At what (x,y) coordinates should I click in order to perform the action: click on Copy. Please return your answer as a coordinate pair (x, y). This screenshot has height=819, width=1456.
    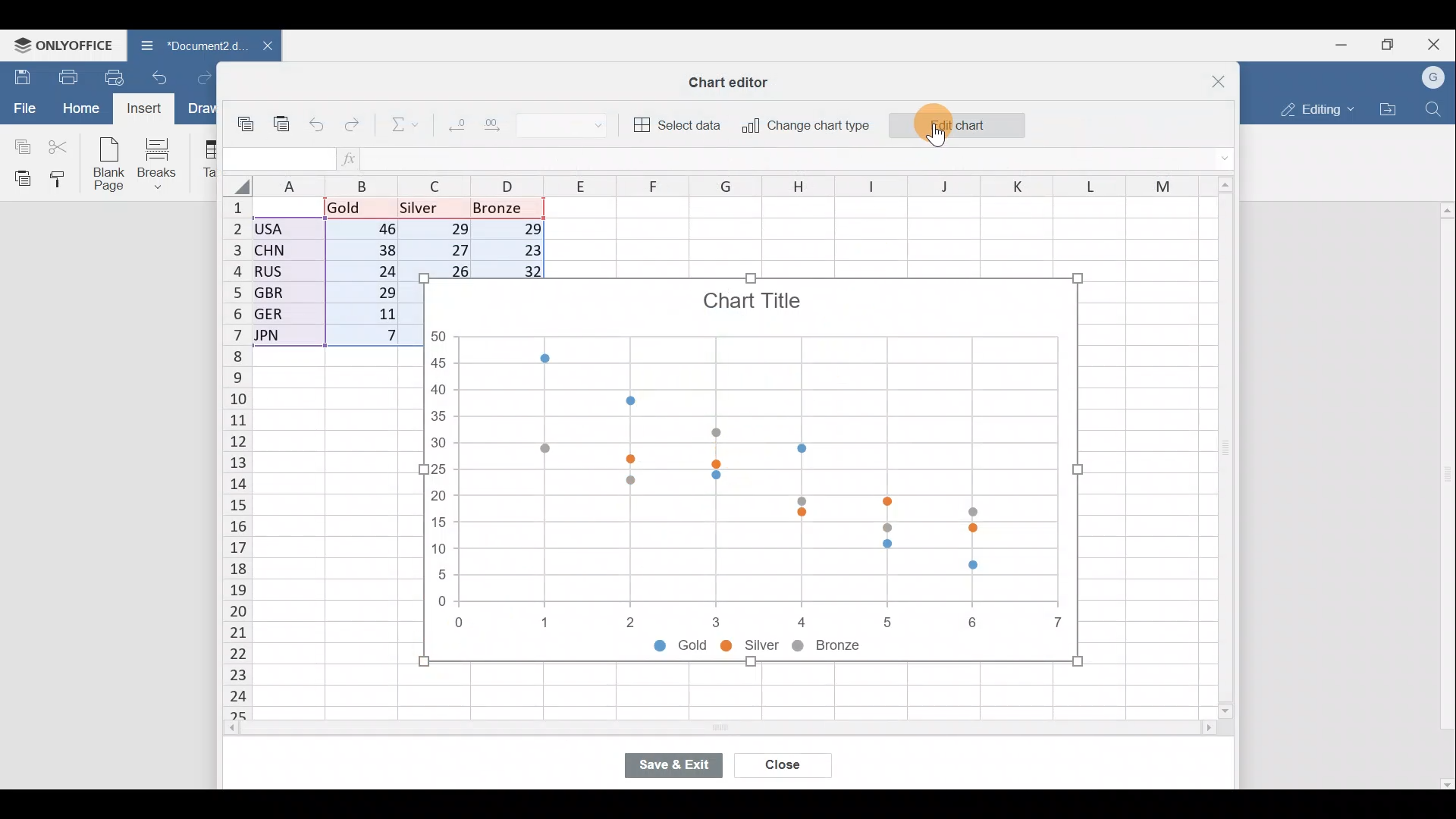
    Looking at the image, I should click on (247, 118).